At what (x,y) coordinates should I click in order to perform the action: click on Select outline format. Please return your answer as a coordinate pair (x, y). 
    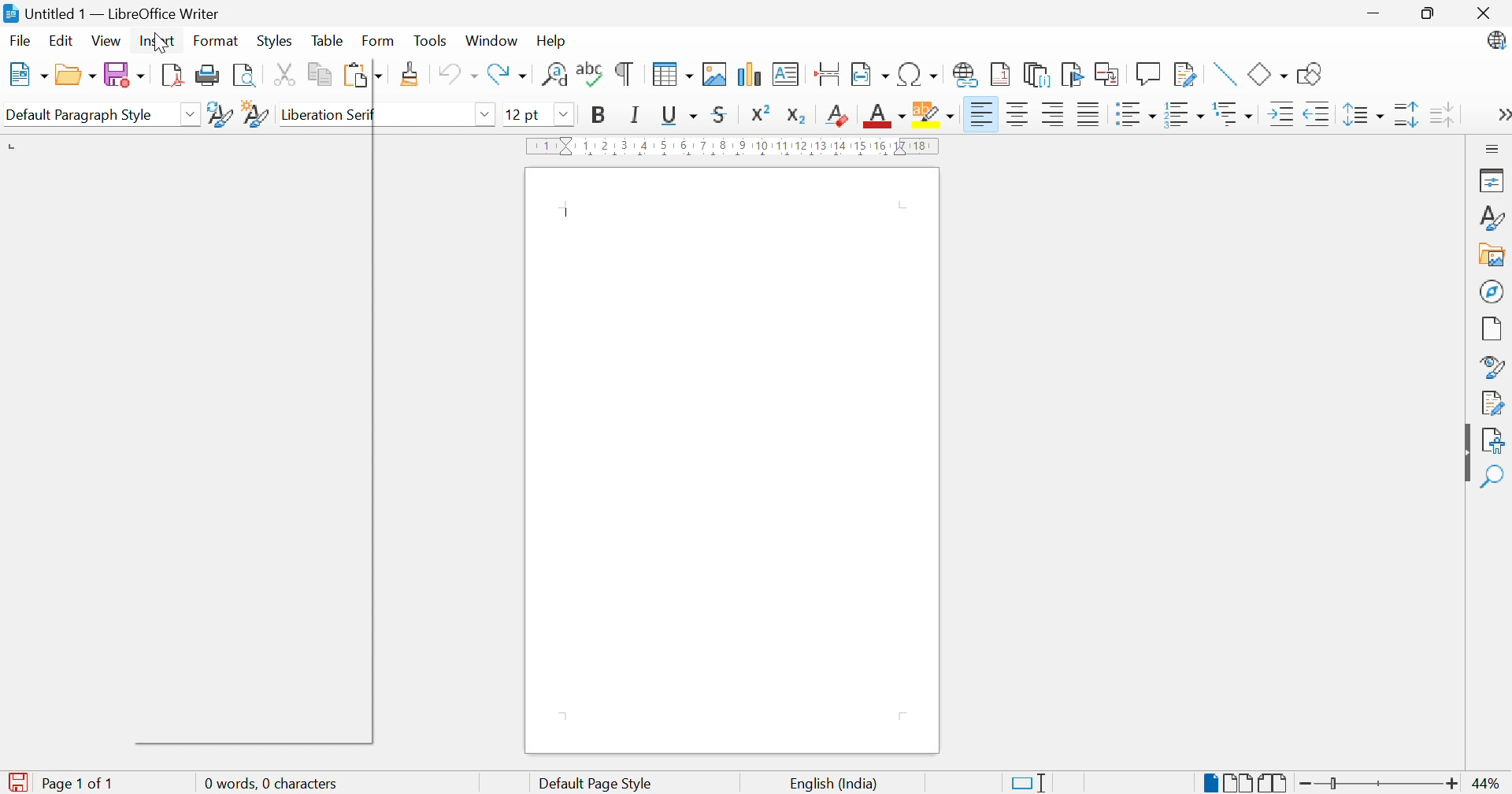
    Looking at the image, I should click on (1236, 115).